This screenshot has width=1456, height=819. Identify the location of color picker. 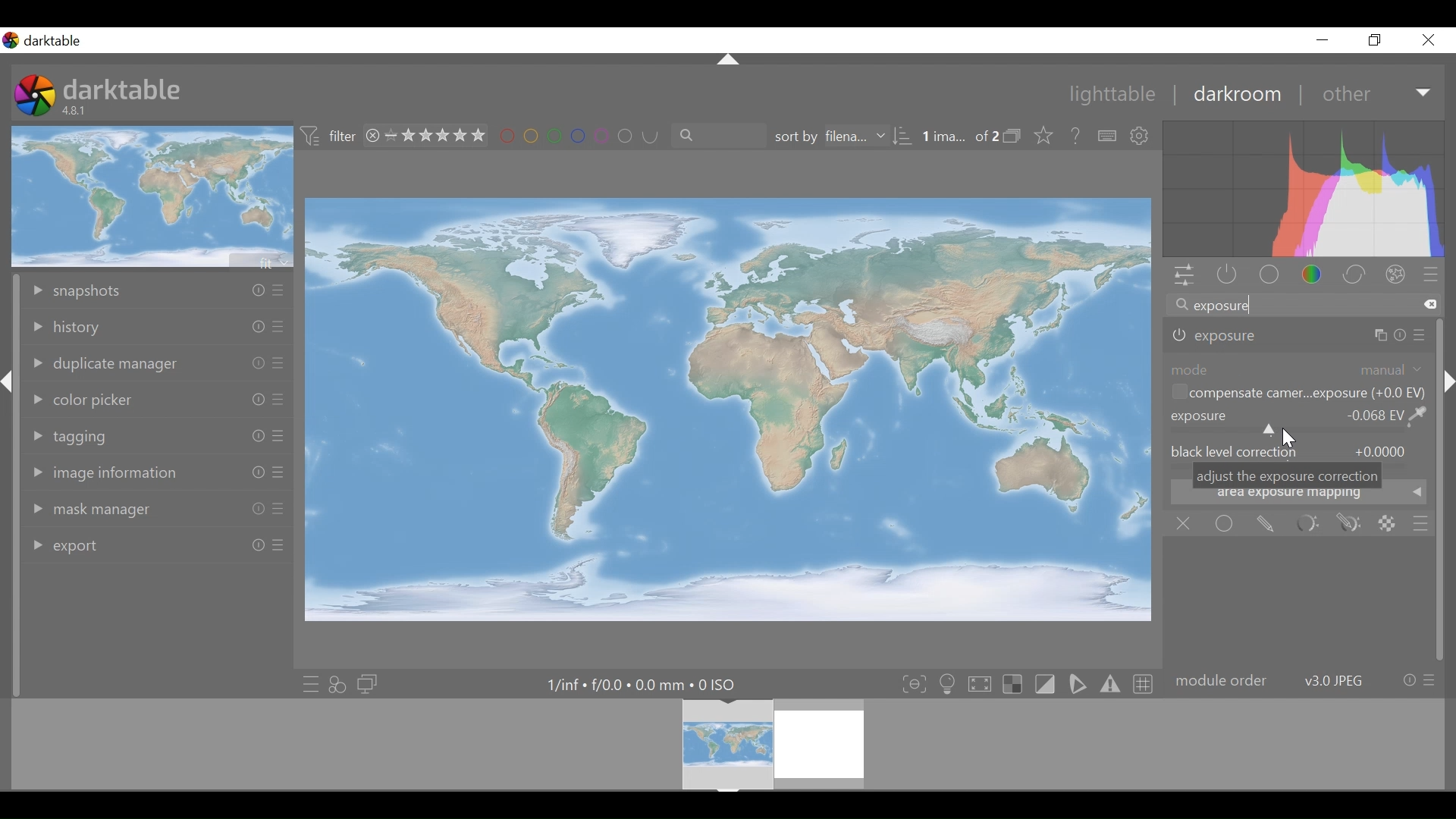
(158, 400).